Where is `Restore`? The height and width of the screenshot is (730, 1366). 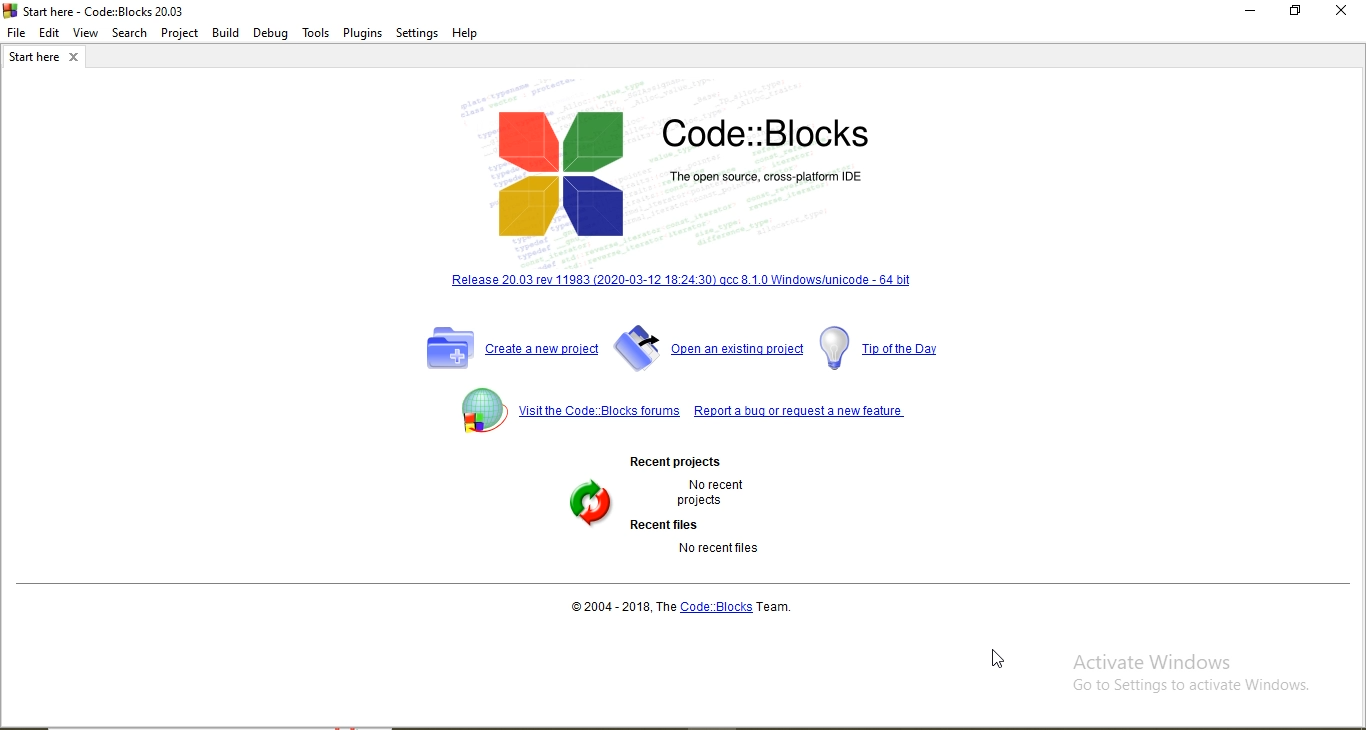 Restore is located at coordinates (1293, 13).